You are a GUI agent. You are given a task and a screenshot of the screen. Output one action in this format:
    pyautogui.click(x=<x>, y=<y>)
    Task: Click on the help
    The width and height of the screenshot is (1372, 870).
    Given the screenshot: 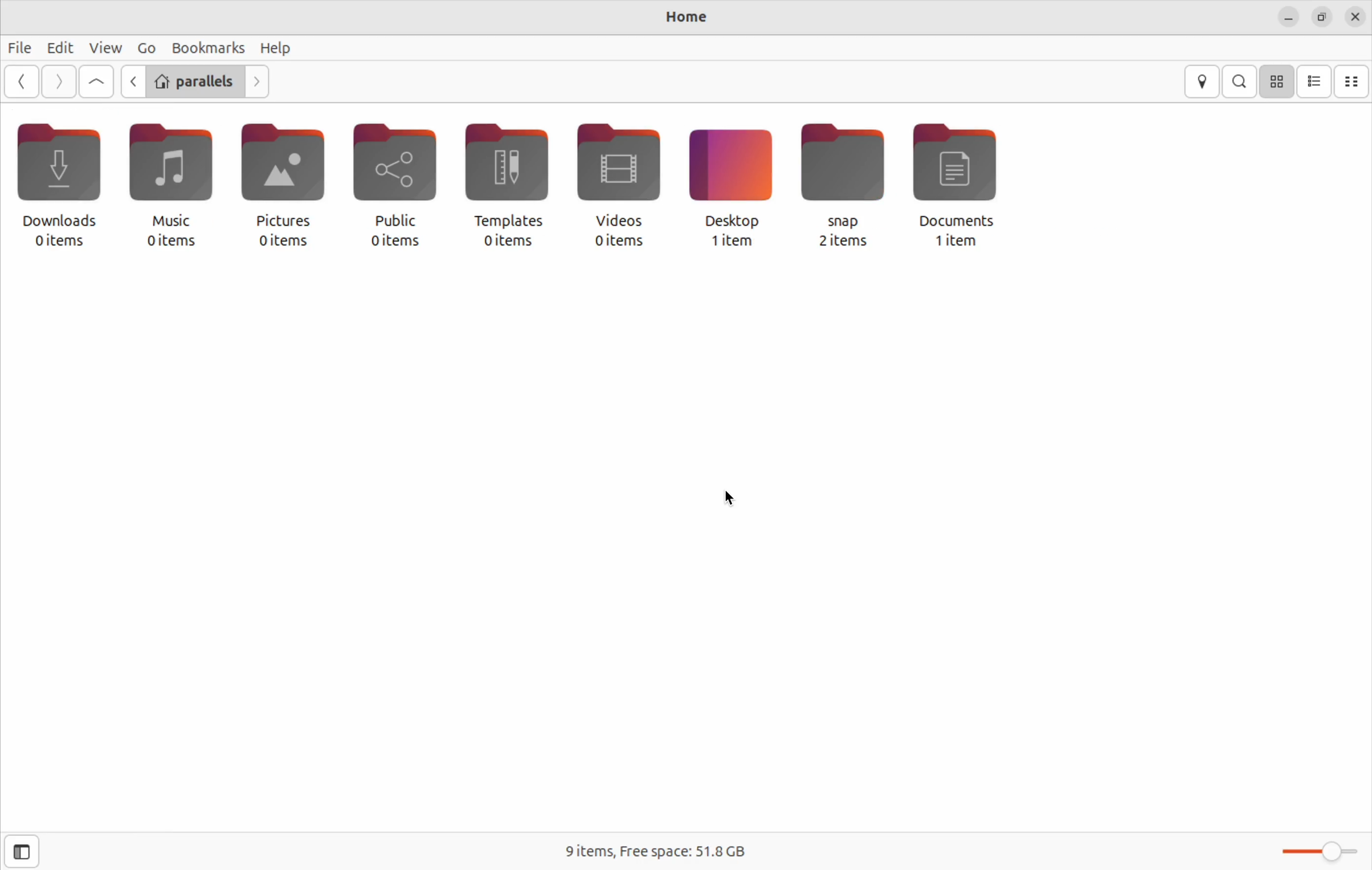 What is the action you would take?
    pyautogui.click(x=279, y=48)
    